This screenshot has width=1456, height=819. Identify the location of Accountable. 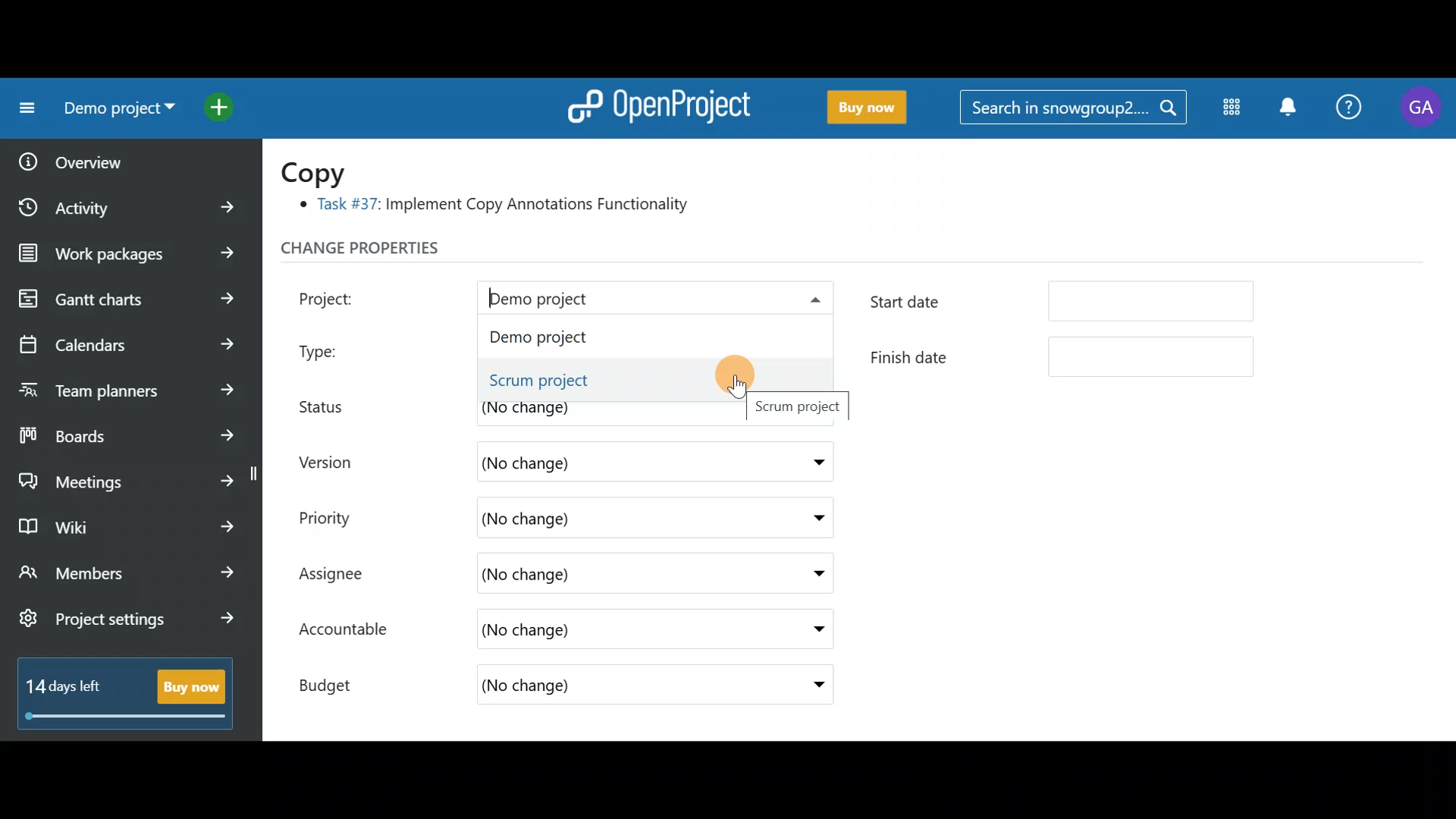
(351, 631).